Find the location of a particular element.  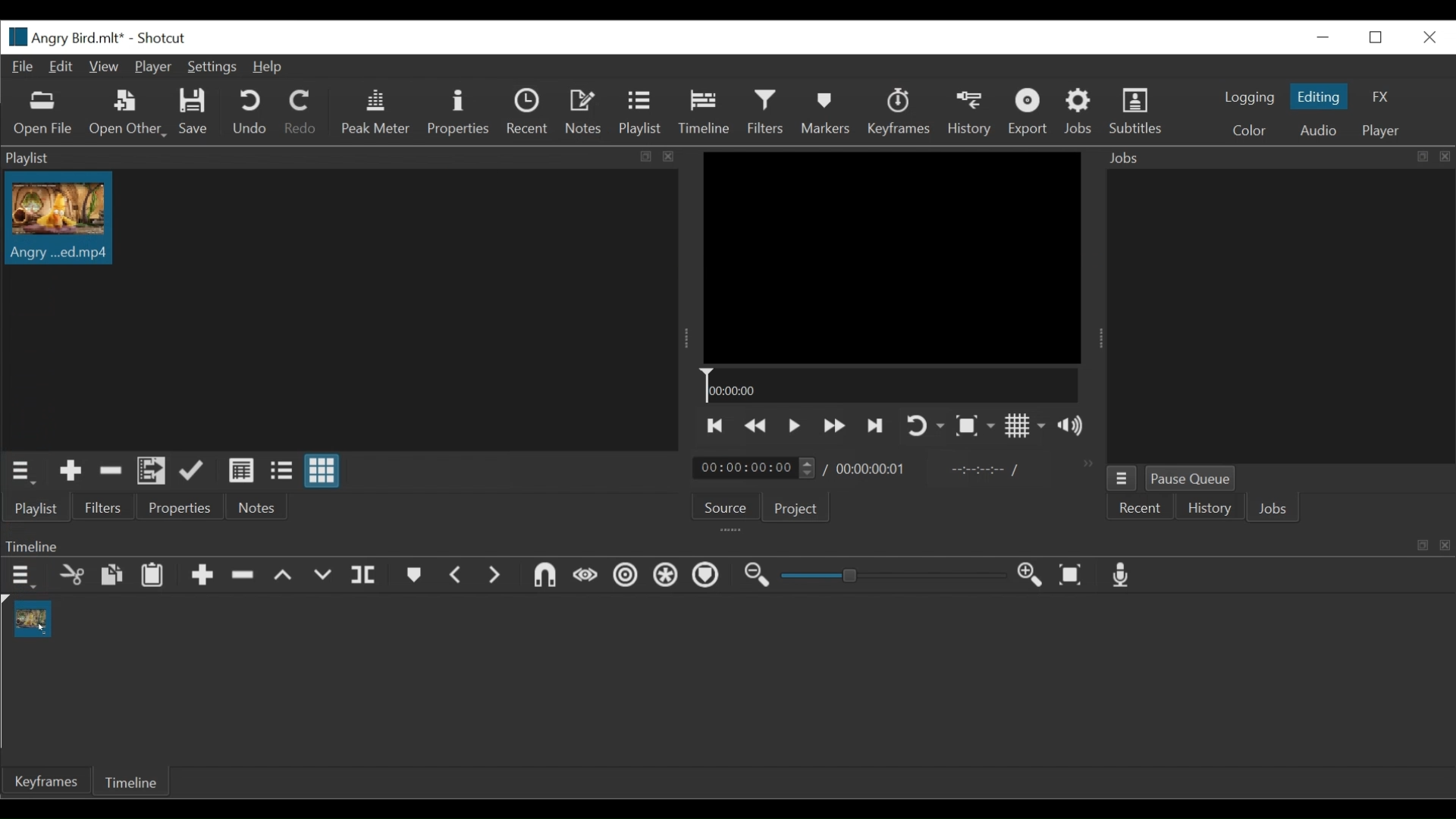

Jobs Panel is located at coordinates (1287, 317).